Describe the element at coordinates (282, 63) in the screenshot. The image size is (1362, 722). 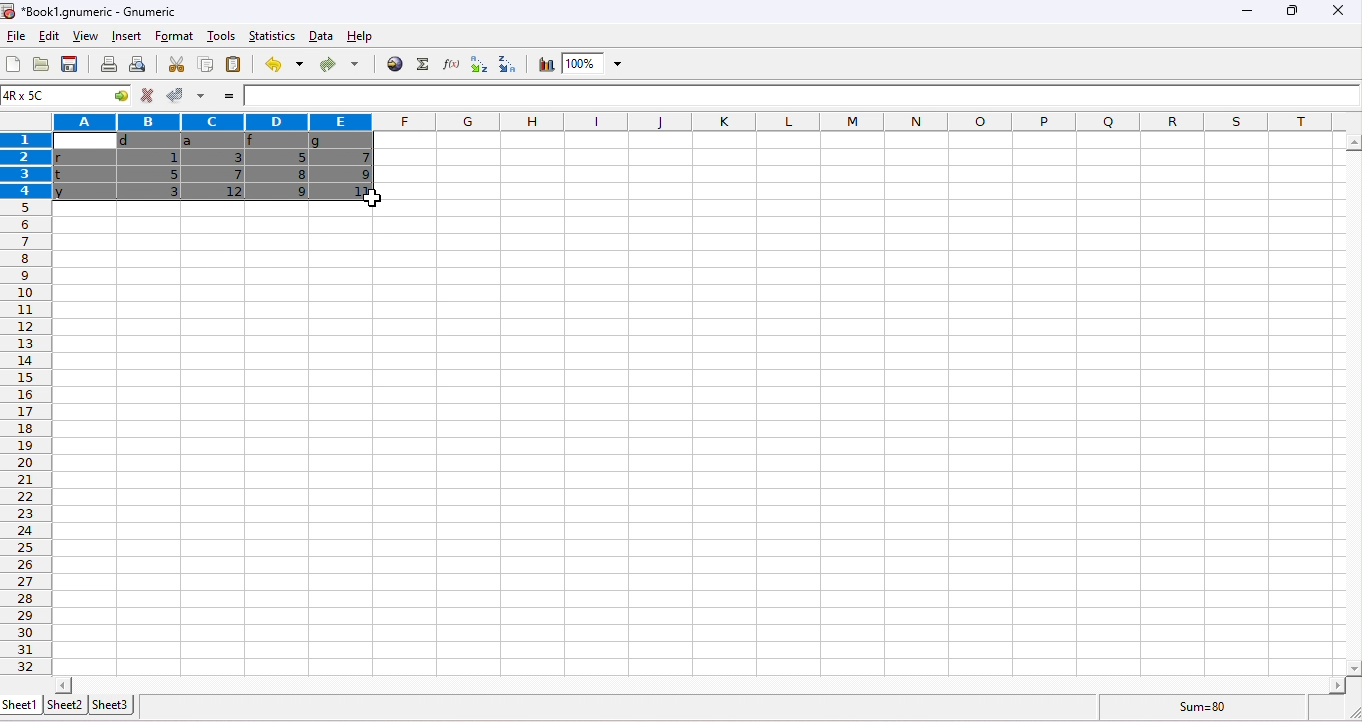
I see `undo` at that location.